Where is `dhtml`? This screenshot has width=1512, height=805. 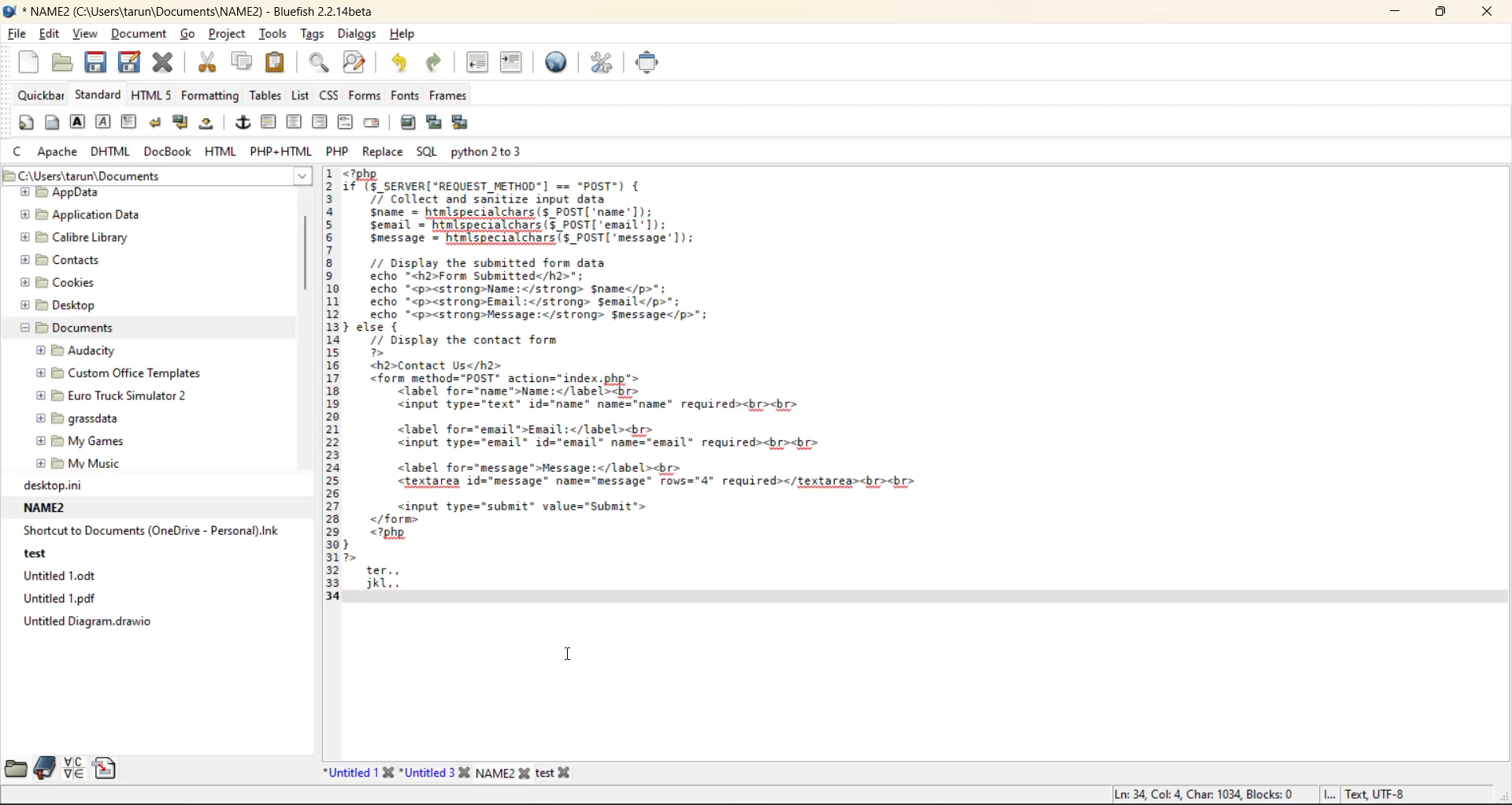
dhtml is located at coordinates (111, 150).